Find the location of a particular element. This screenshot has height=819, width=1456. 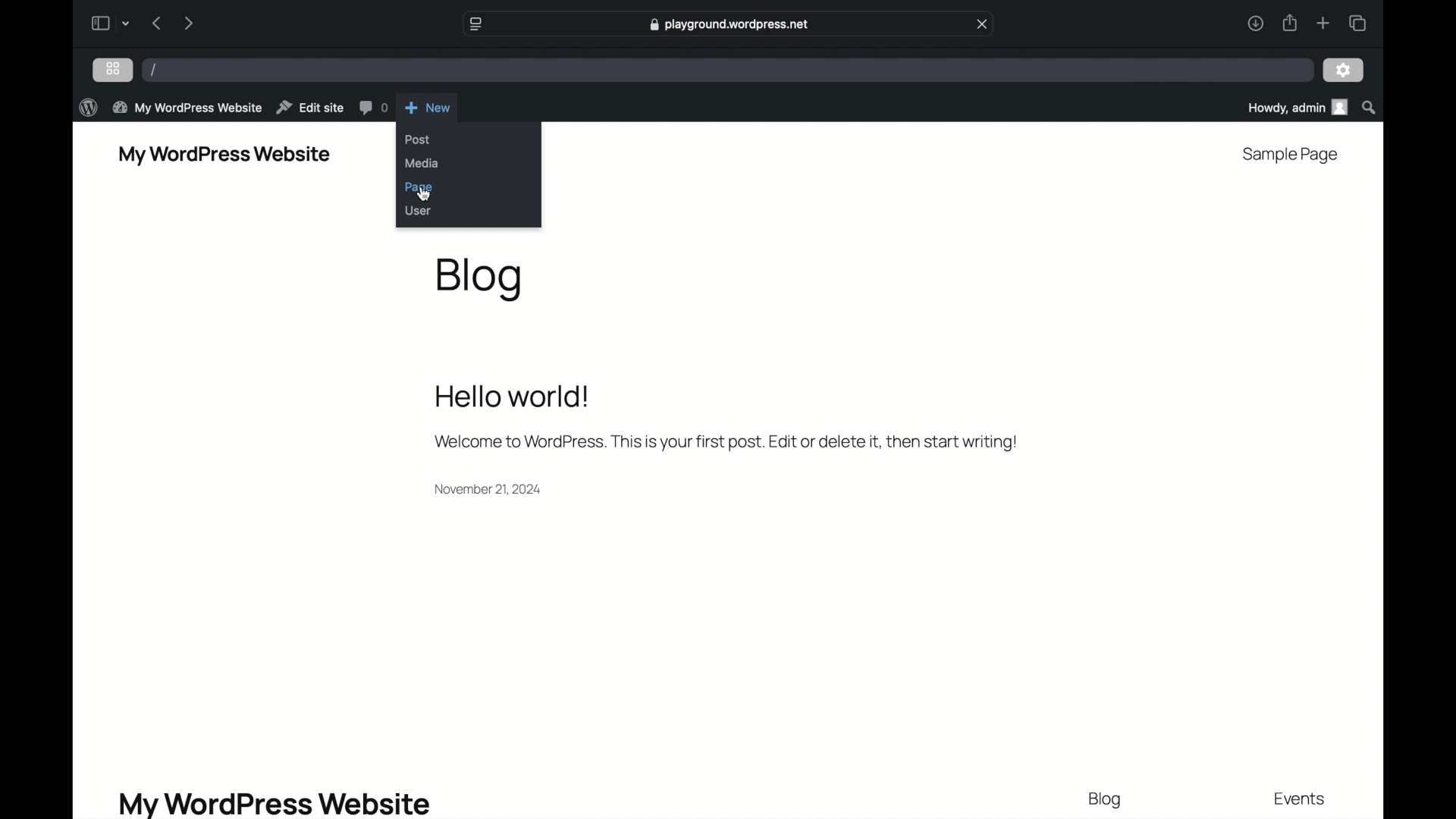

blog is located at coordinates (479, 279).